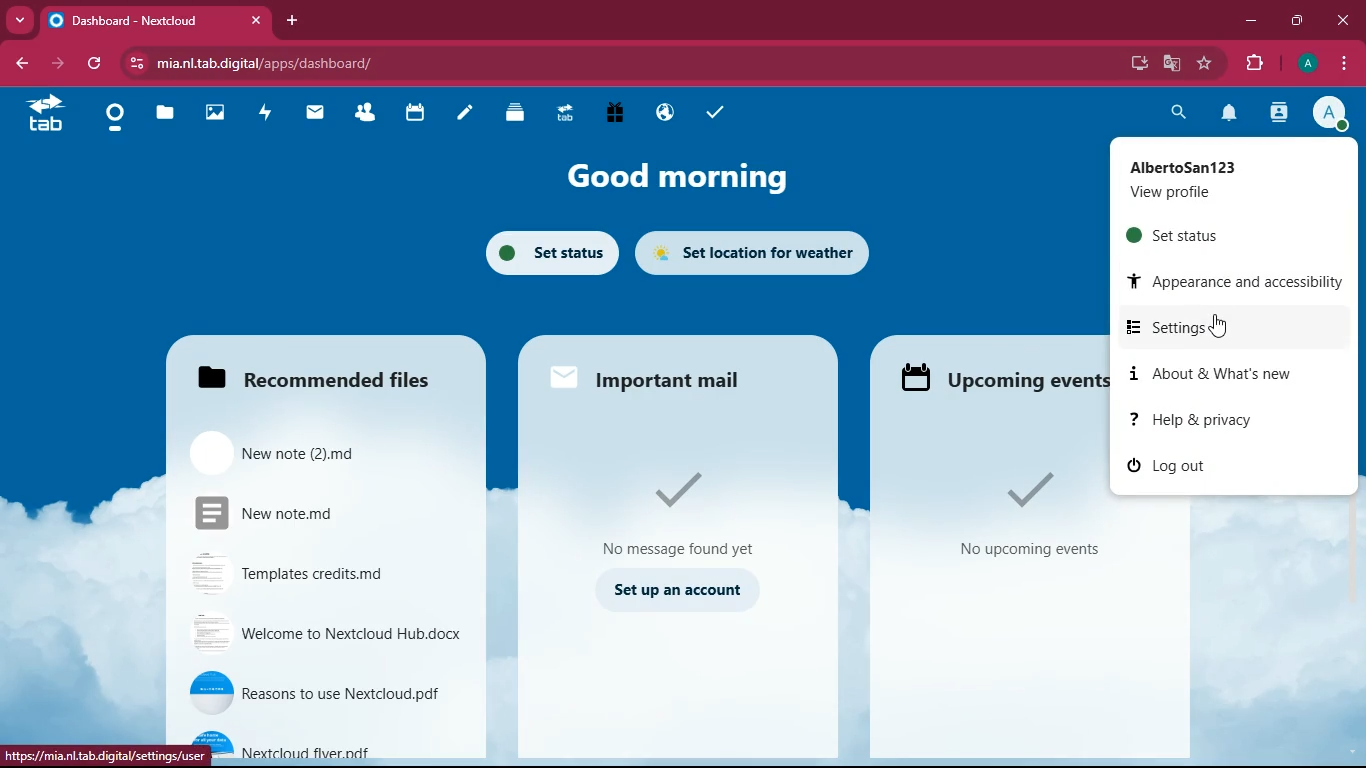 Image resolution: width=1366 pixels, height=768 pixels. I want to click on tab, so click(564, 112).